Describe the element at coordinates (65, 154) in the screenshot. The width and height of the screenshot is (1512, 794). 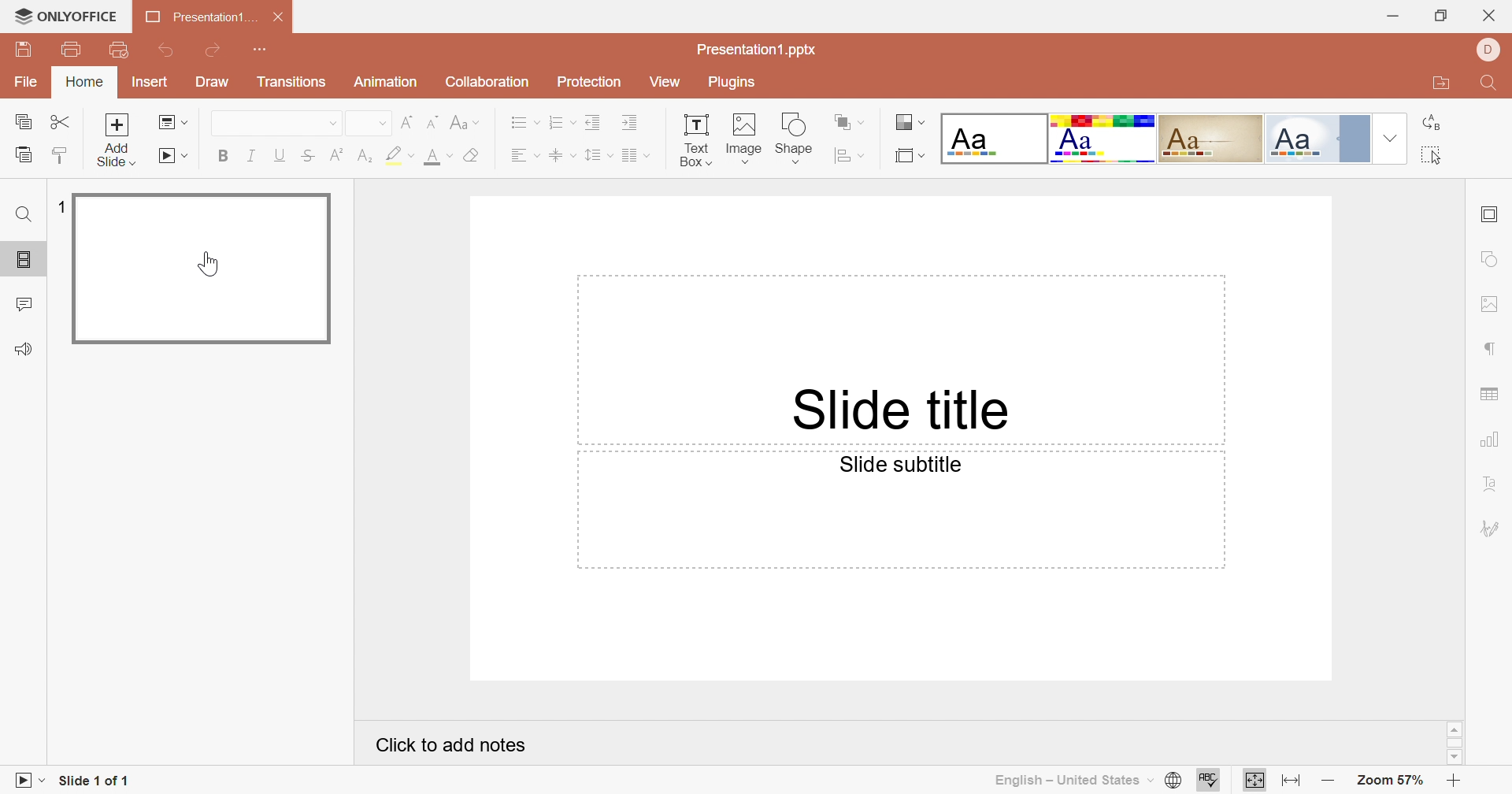
I see `Copy style` at that location.